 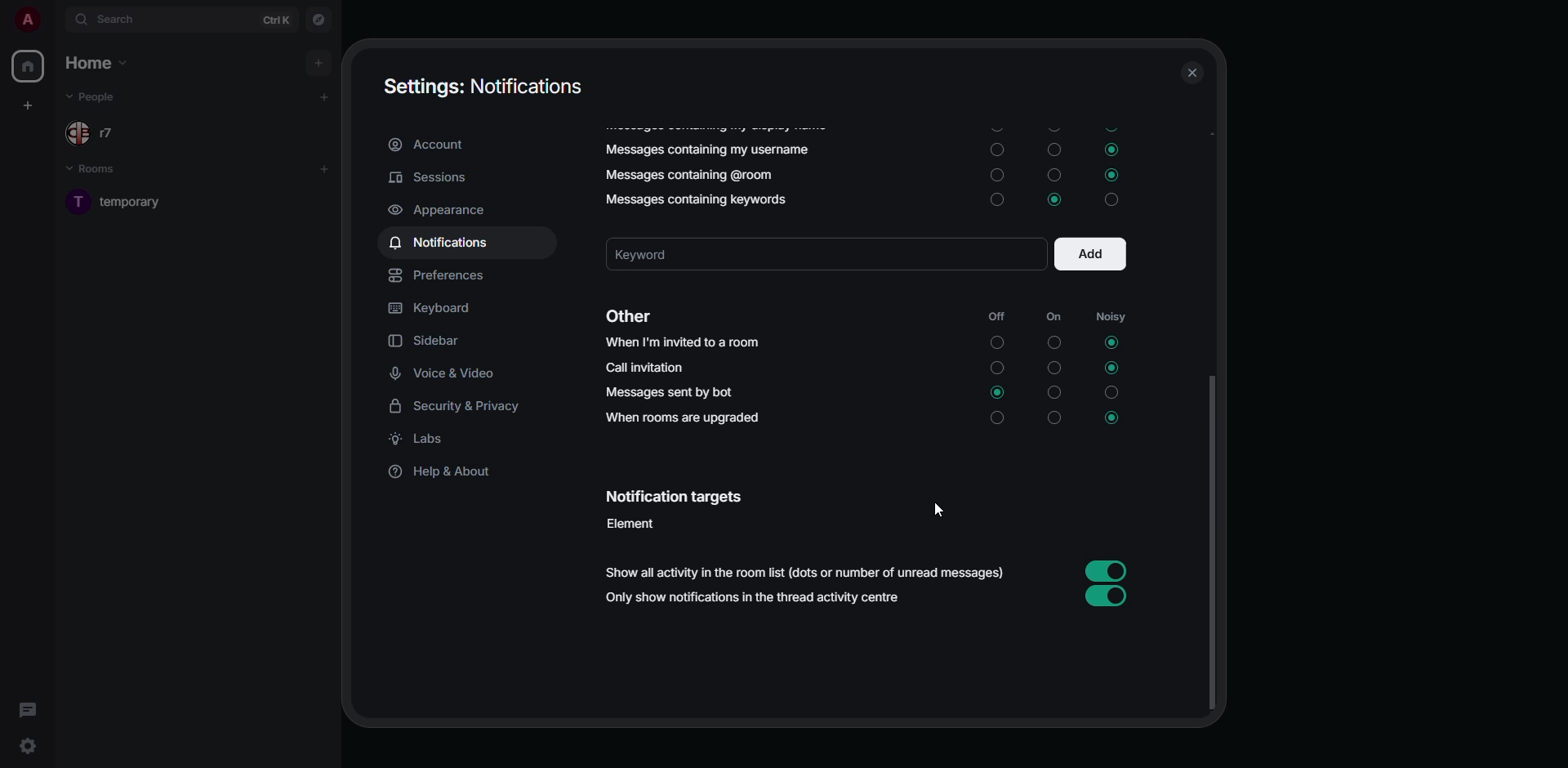 What do you see at coordinates (1053, 343) in the screenshot?
I see `On` at bounding box center [1053, 343].